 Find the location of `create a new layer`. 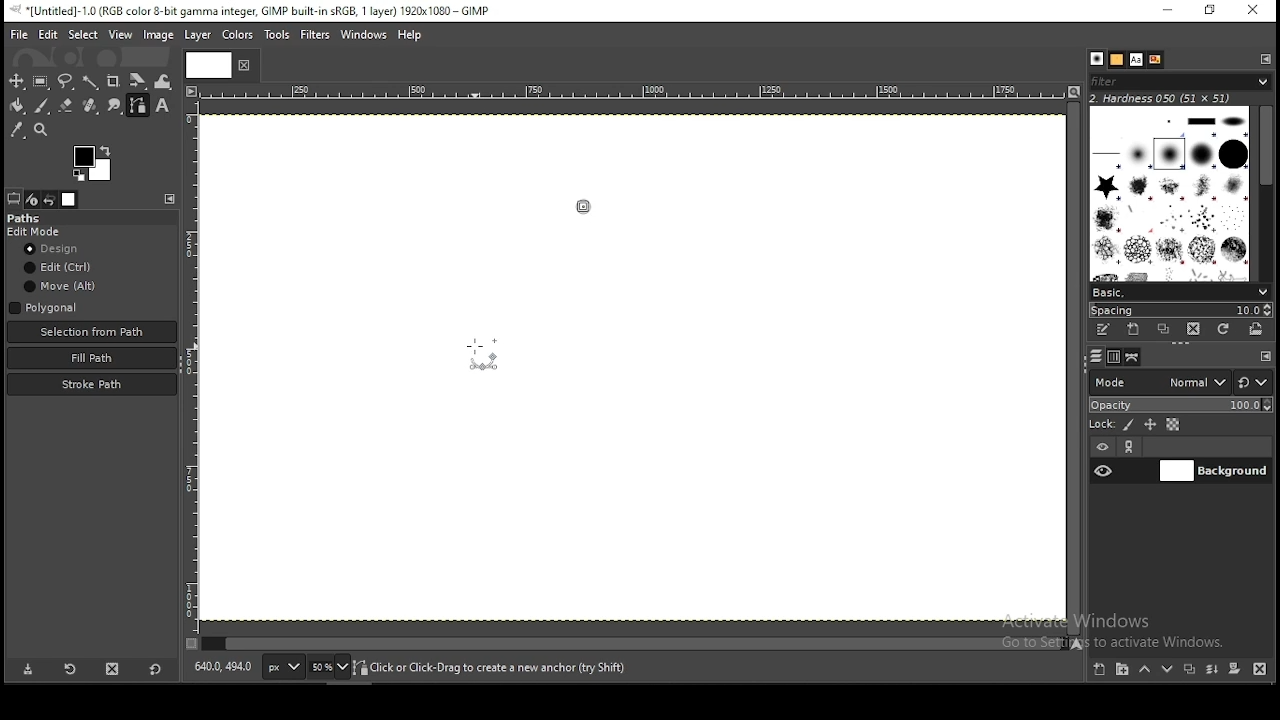

create a new layer is located at coordinates (1099, 670).